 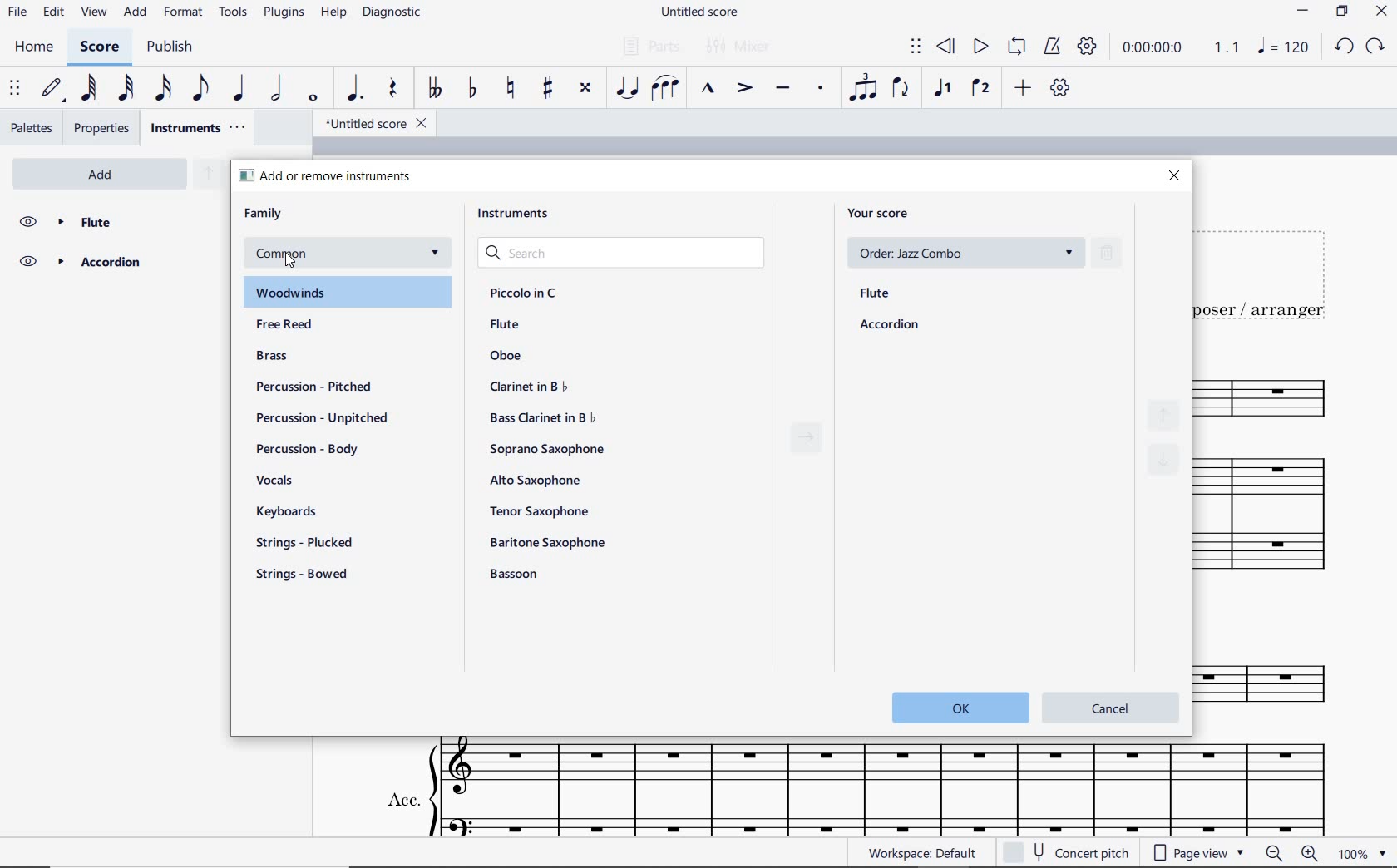 I want to click on flip direction, so click(x=902, y=89).